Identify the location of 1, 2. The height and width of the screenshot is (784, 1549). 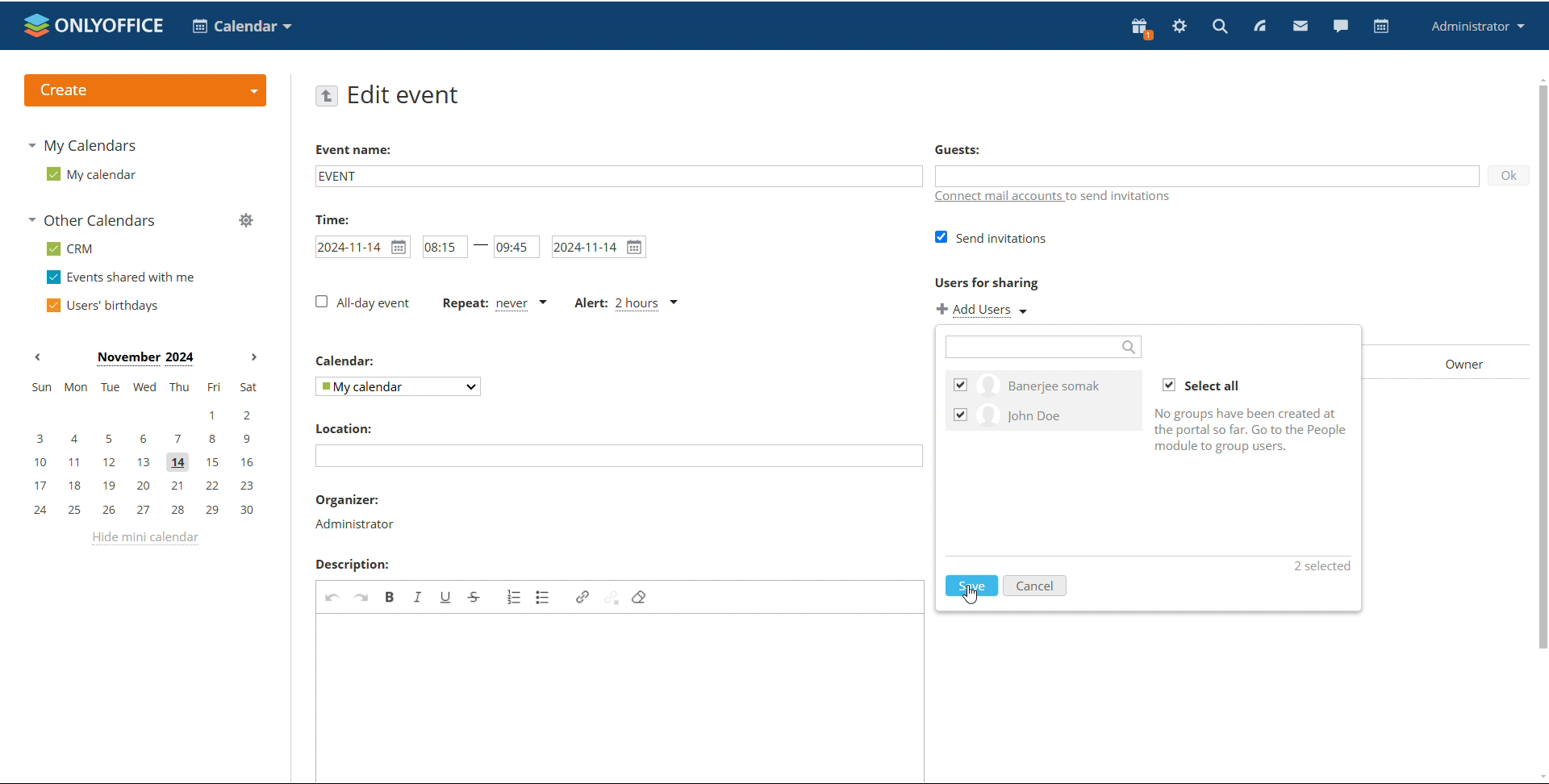
(140, 416).